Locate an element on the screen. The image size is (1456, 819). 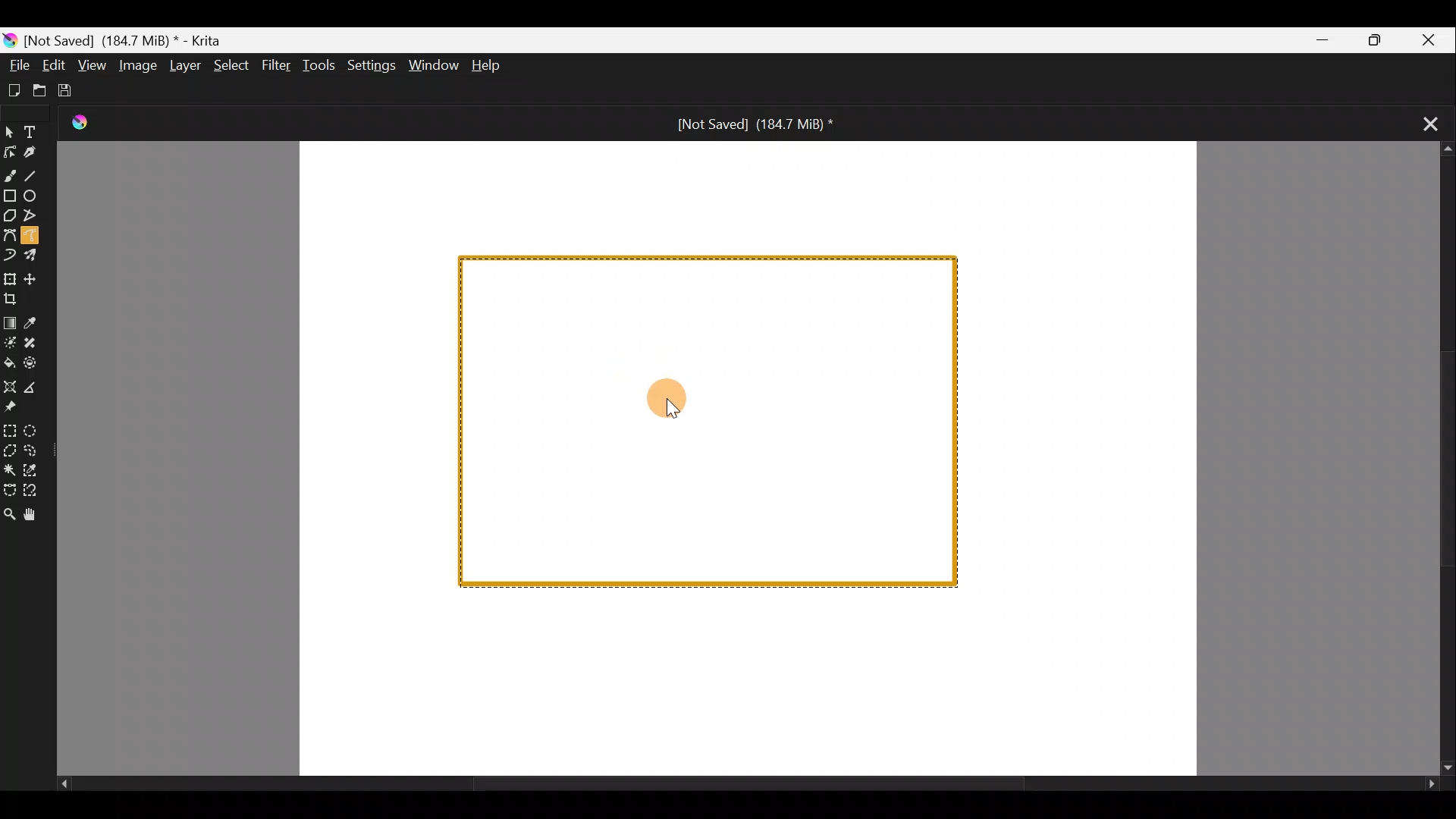
Smart patch tool is located at coordinates (33, 343).